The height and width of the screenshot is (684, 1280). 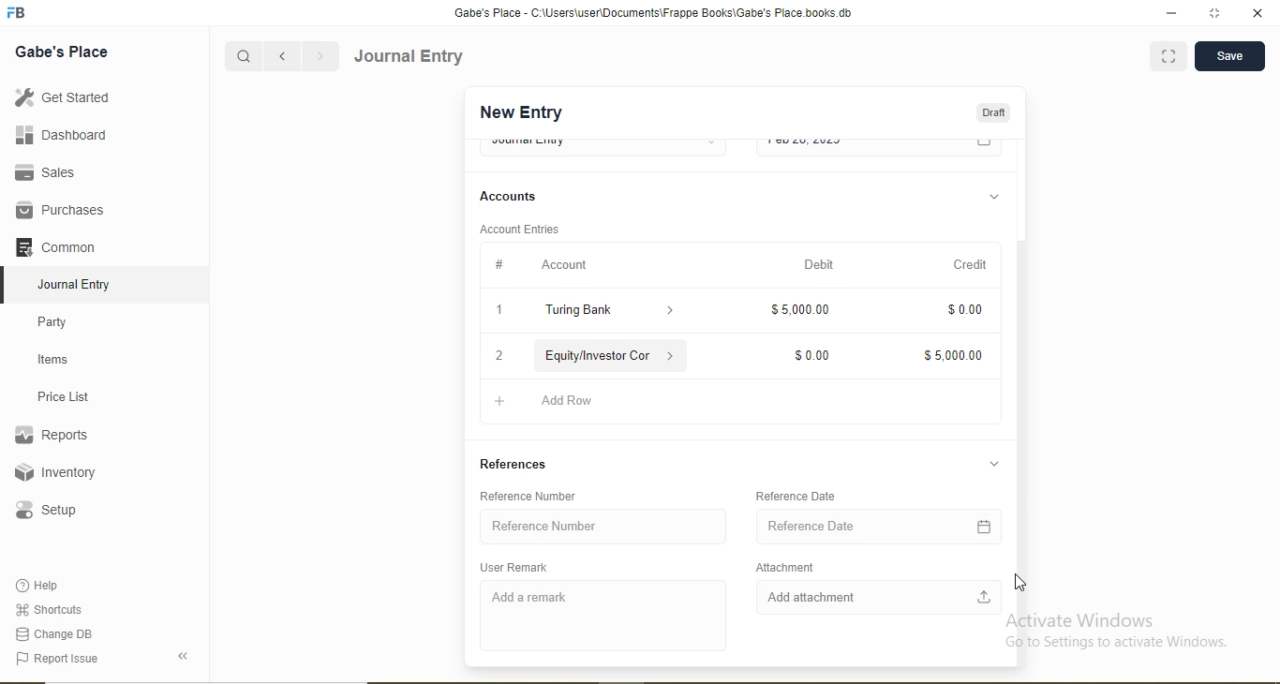 What do you see at coordinates (985, 527) in the screenshot?
I see `Calendar` at bounding box center [985, 527].